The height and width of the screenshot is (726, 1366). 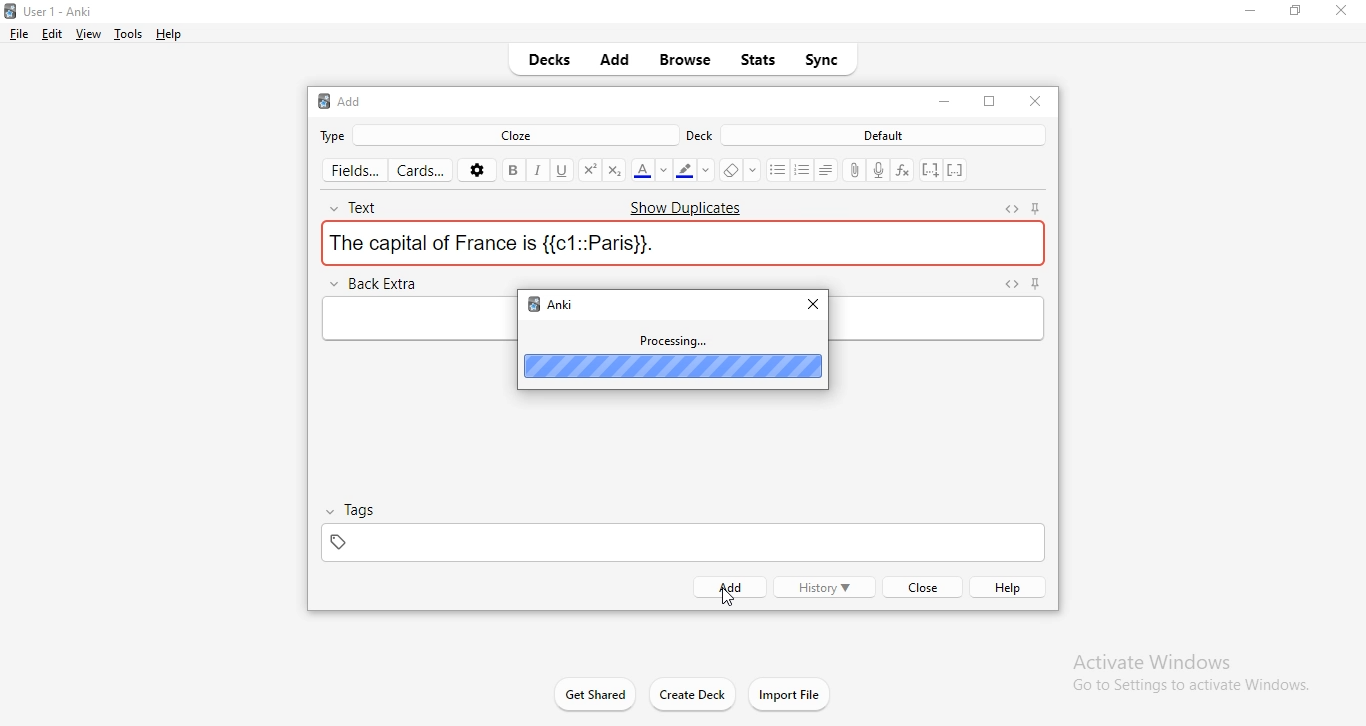 What do you see at coordinates (354, 167) in the screenshot?
I see `fields` at bounding box center [354, 167].